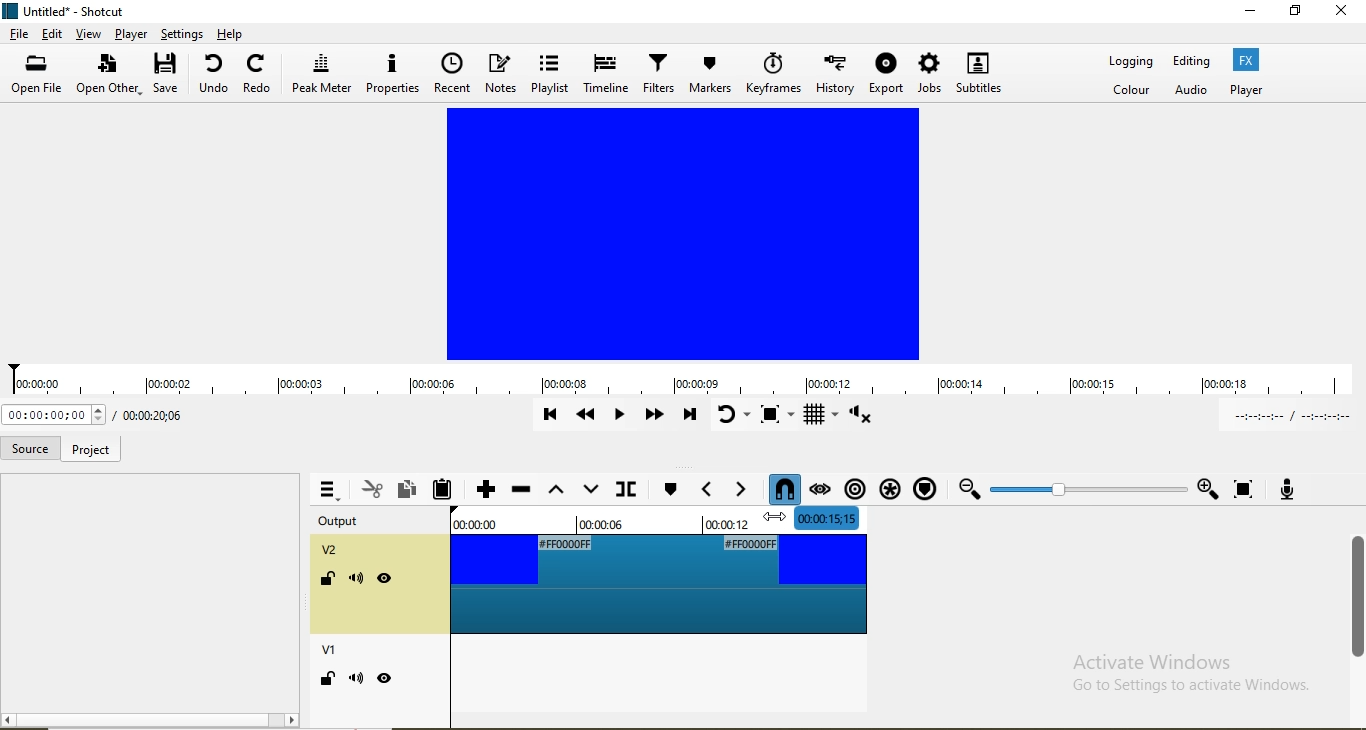 Image resolution: width=1366 pixels, height=730 pixels. Describe the element at coordinates (1357, 590) in the screenshot. I see `scroll bar` at that location.